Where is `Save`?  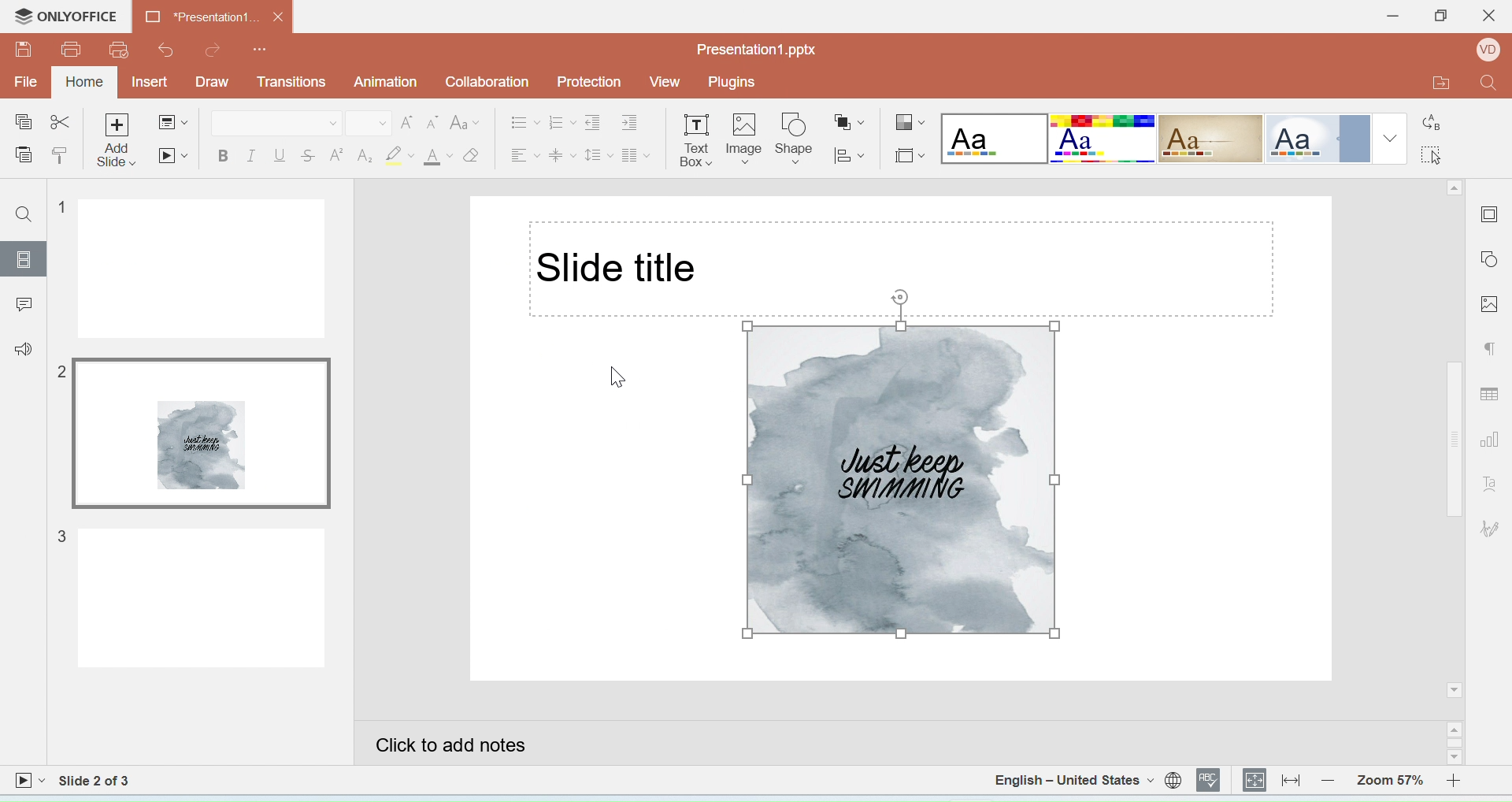 Save is located at coordinates (24, 49).